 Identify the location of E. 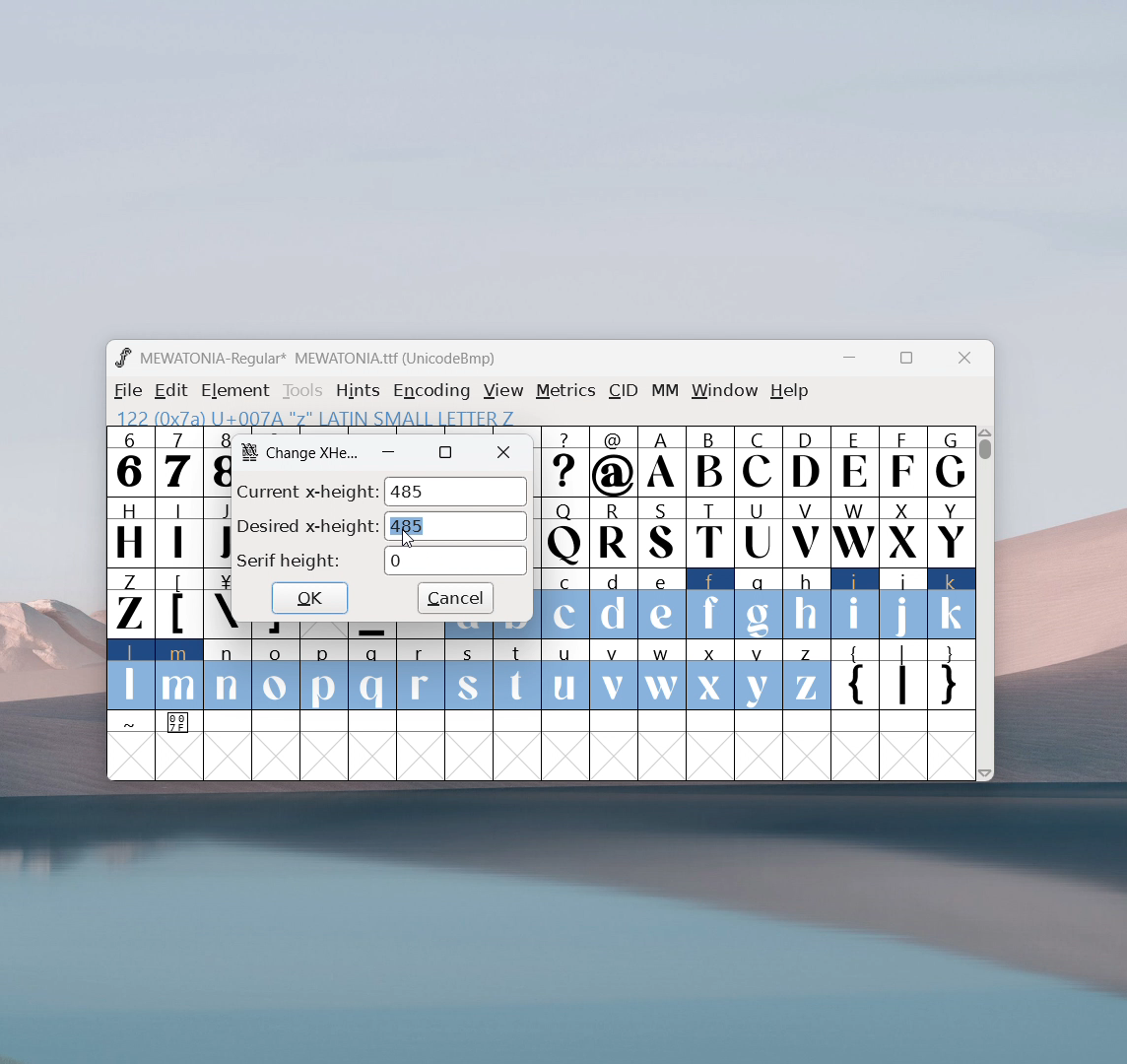
(854, 461).